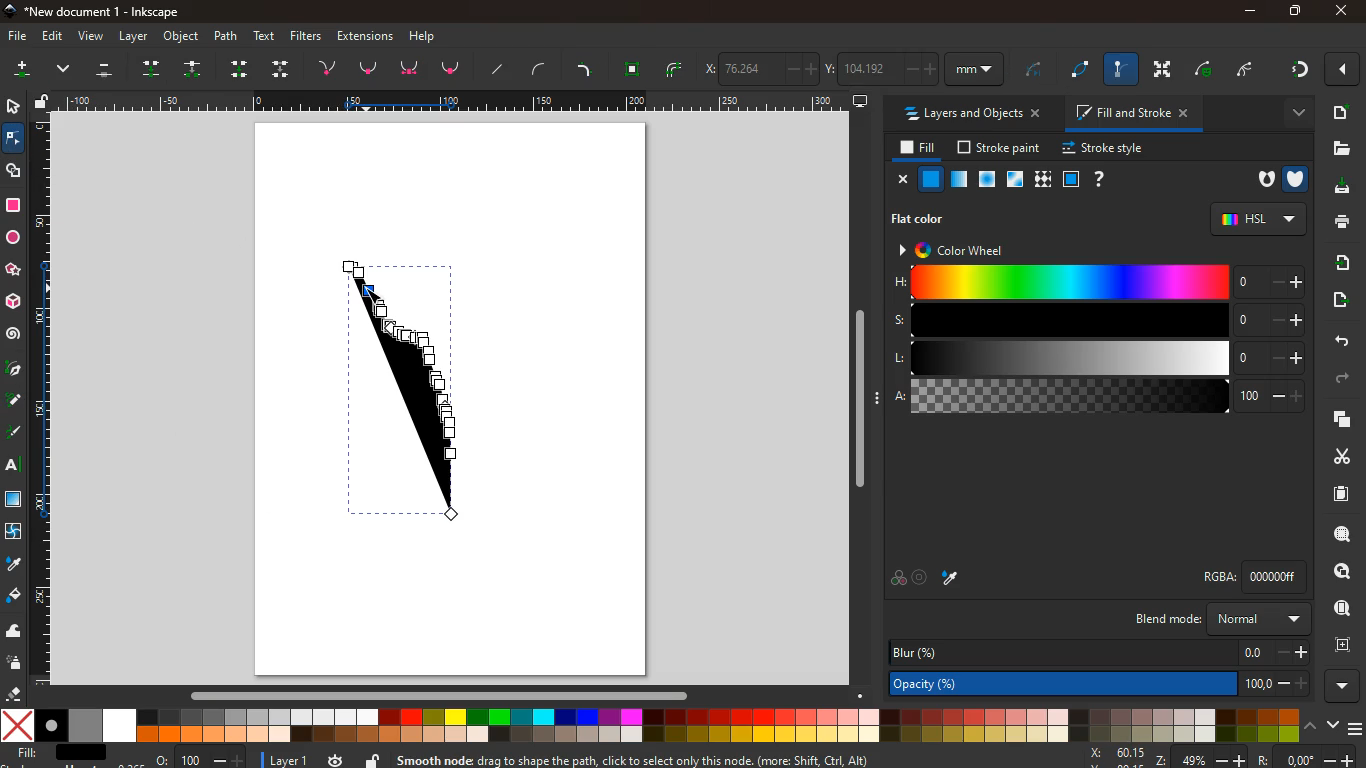 This screenshot has height=768, width=1366. Describe the element at coordinates (1341, 11) in the screenshot. I see `Close` at that location.